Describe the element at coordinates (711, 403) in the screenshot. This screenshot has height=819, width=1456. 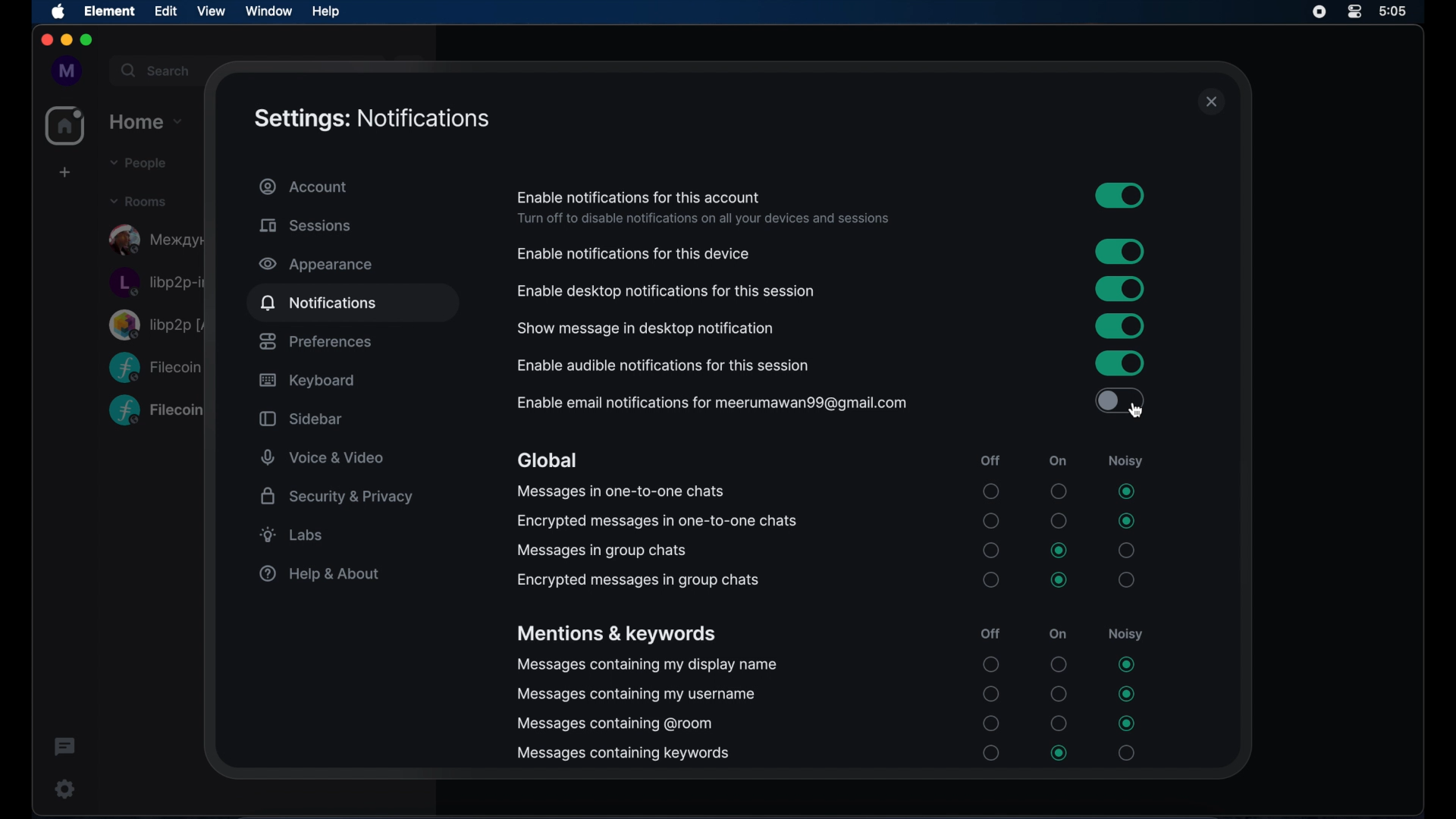
I see `enable email notifications for meerumawan99@gmail.com` at that location.